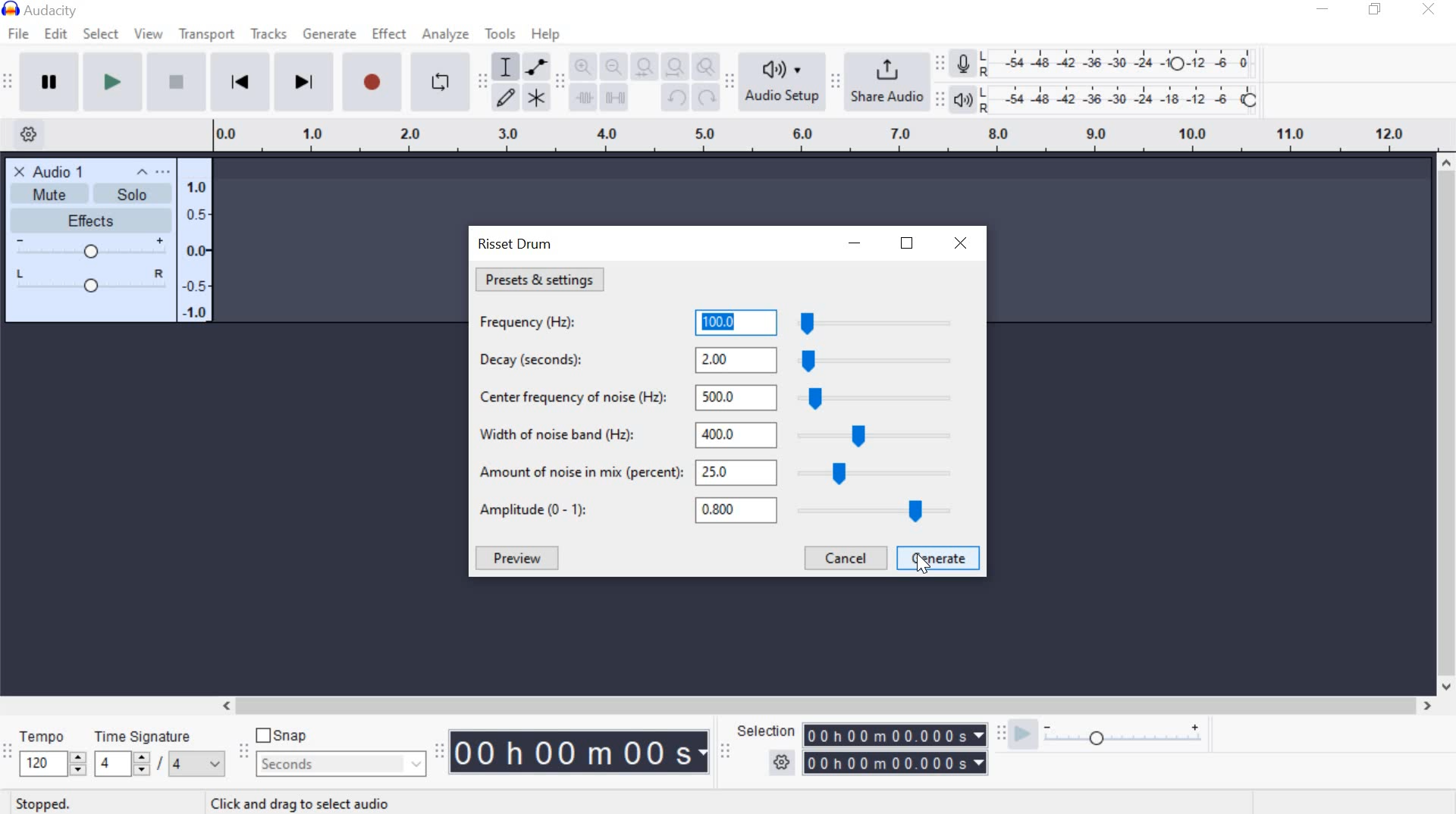 The width and height of the screenshot is (1456, 814). Describe the element at coordinates (504, 99) in the screenshot. I see `Draw Tool` at that location.